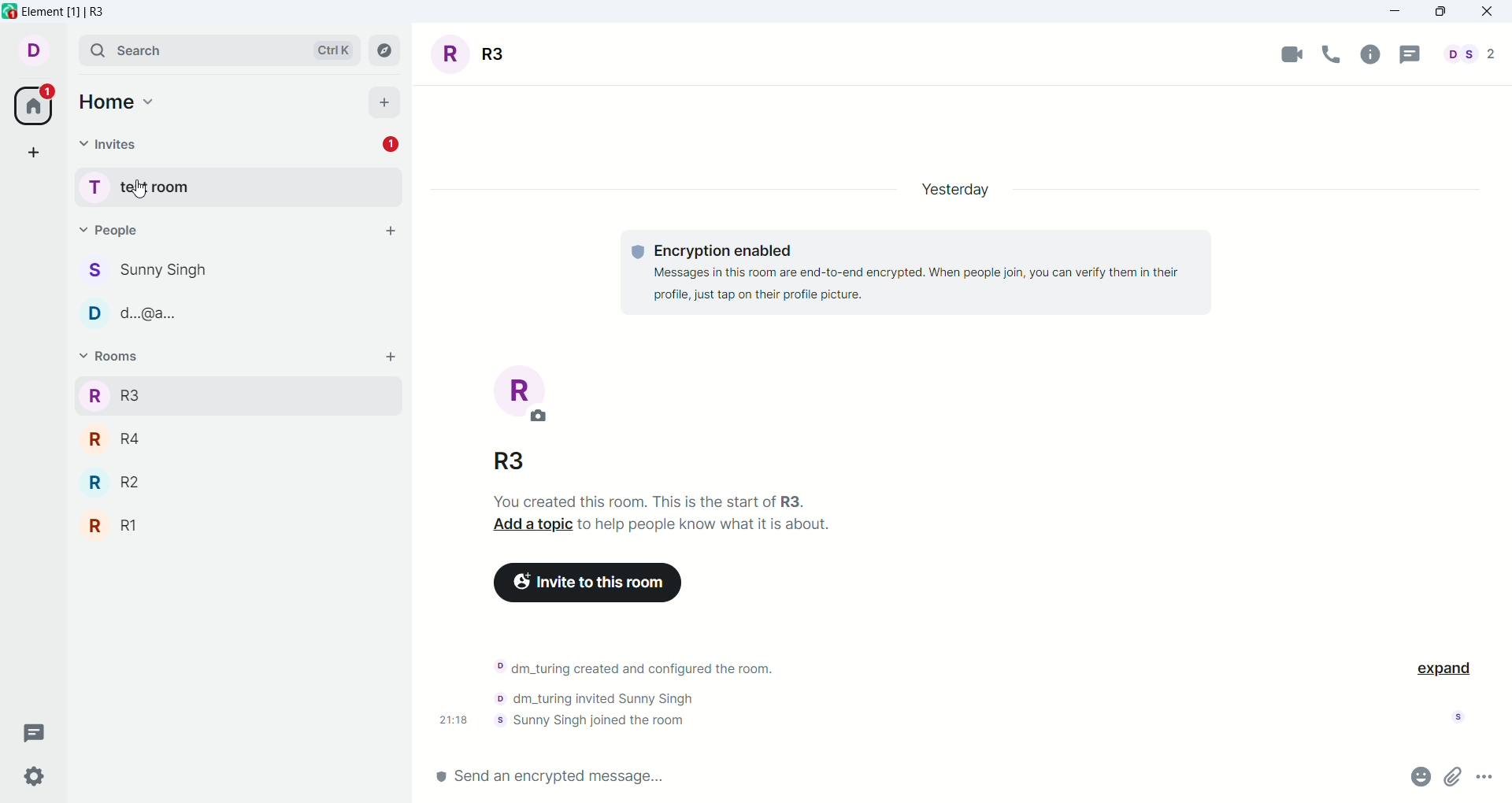 This screenshot has width=1512, height=803. What do you see at coordinates (236, 526) in the screenshot?
I see `R1` at bounding box center [236, 526].